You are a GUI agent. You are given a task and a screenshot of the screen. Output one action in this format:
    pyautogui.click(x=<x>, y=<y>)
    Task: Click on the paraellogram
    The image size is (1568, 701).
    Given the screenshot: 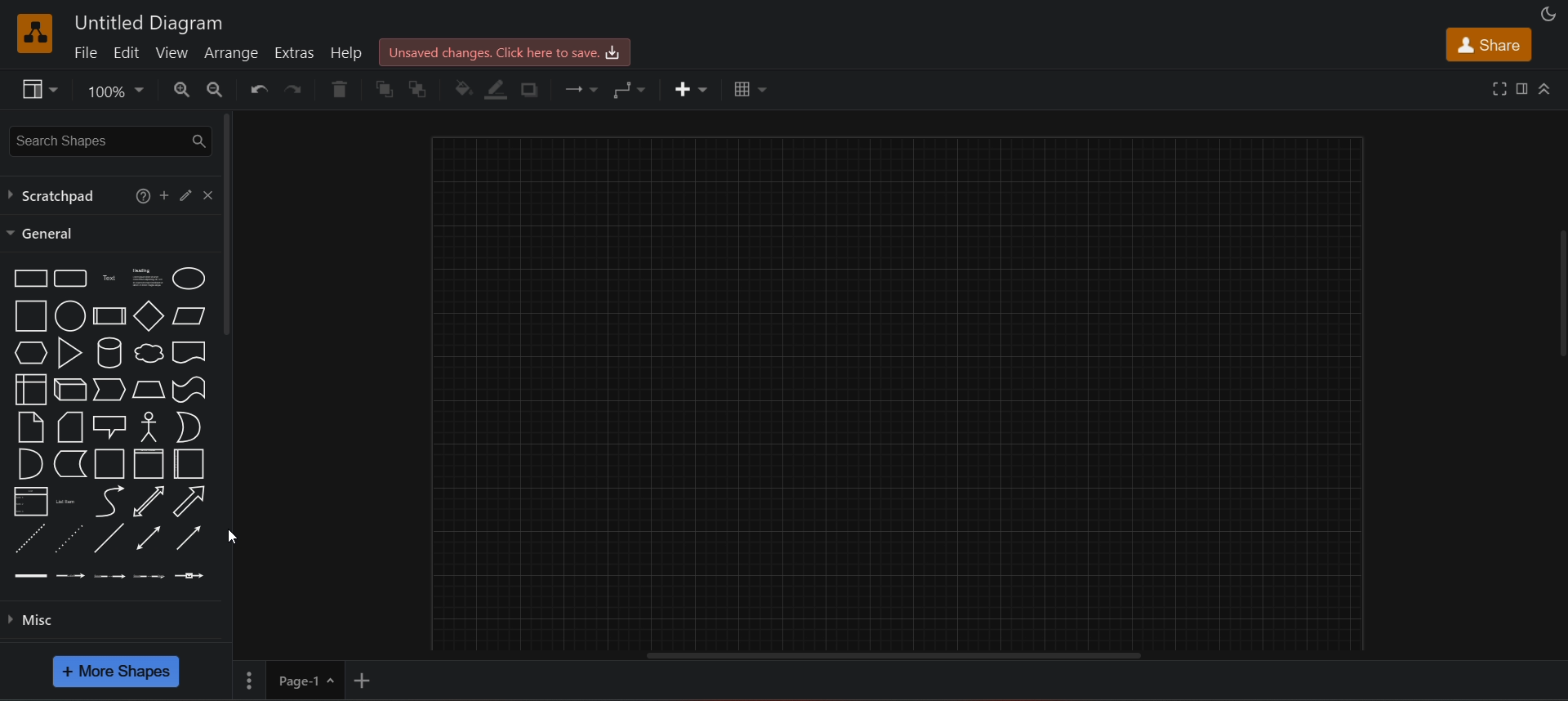 What is the action you would take?
    pyautogui.click(x=188, y=315)
    